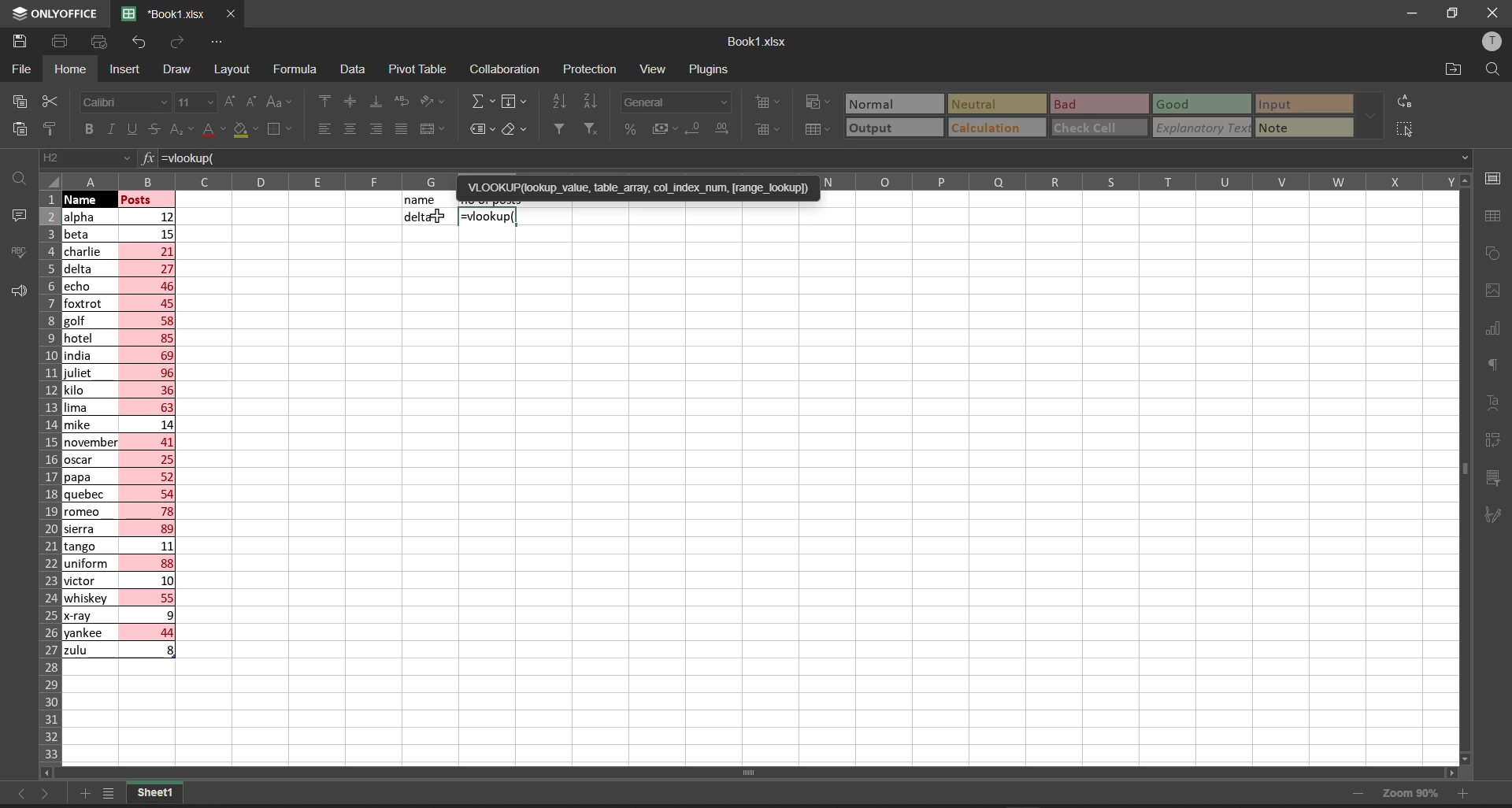 The width and height of the screenshot is (1512, 808). Describe the element at coordinates (217, 40) in the screenshot. I see `customize quick access tool bar` at that location.